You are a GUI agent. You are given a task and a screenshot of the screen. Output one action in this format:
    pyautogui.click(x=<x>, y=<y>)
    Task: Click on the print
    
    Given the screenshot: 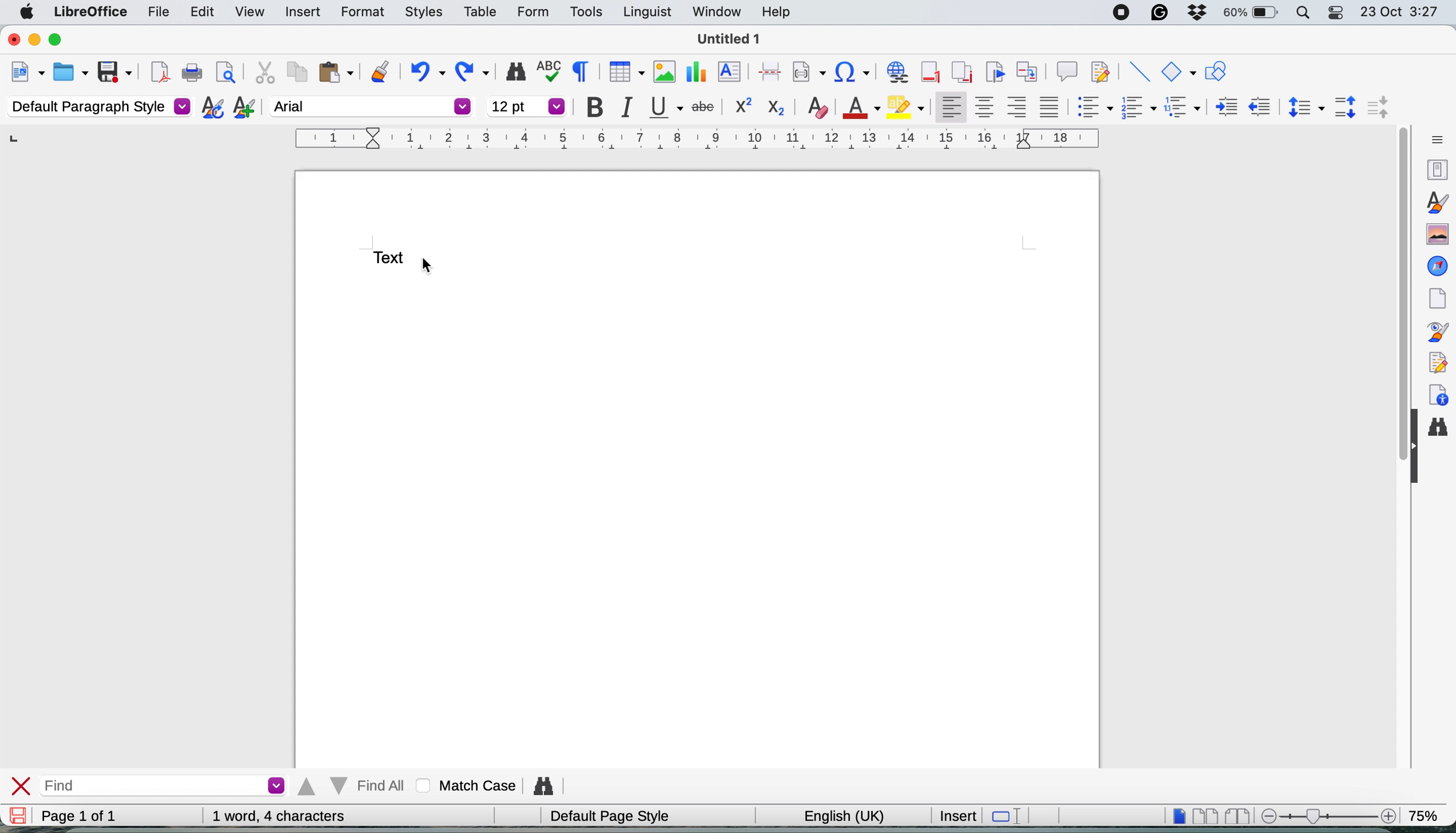 What is the action you would take?
    pyautogui.click(x=191, y=74)
    